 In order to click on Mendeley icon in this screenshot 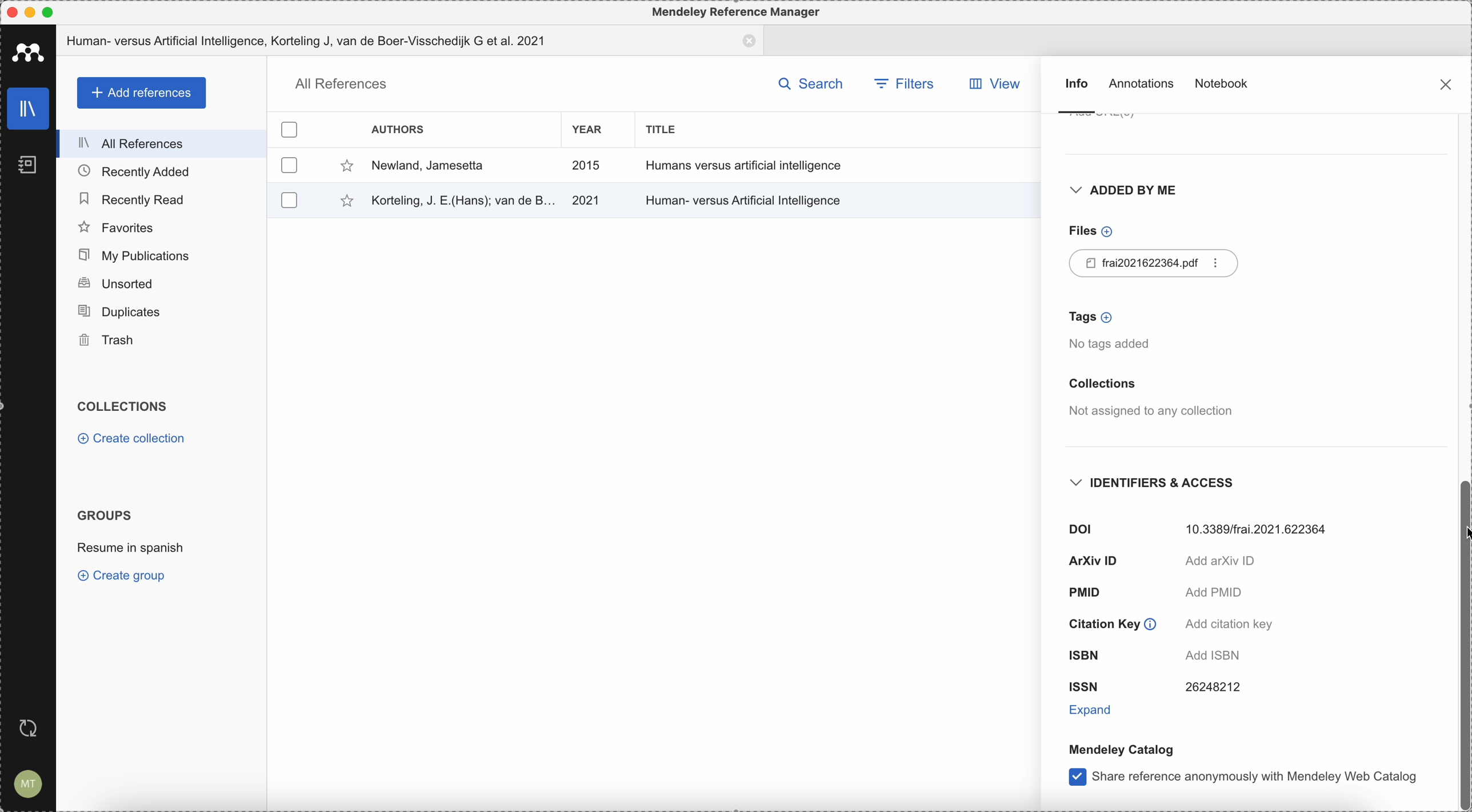, I will do `click(27, 52)`.